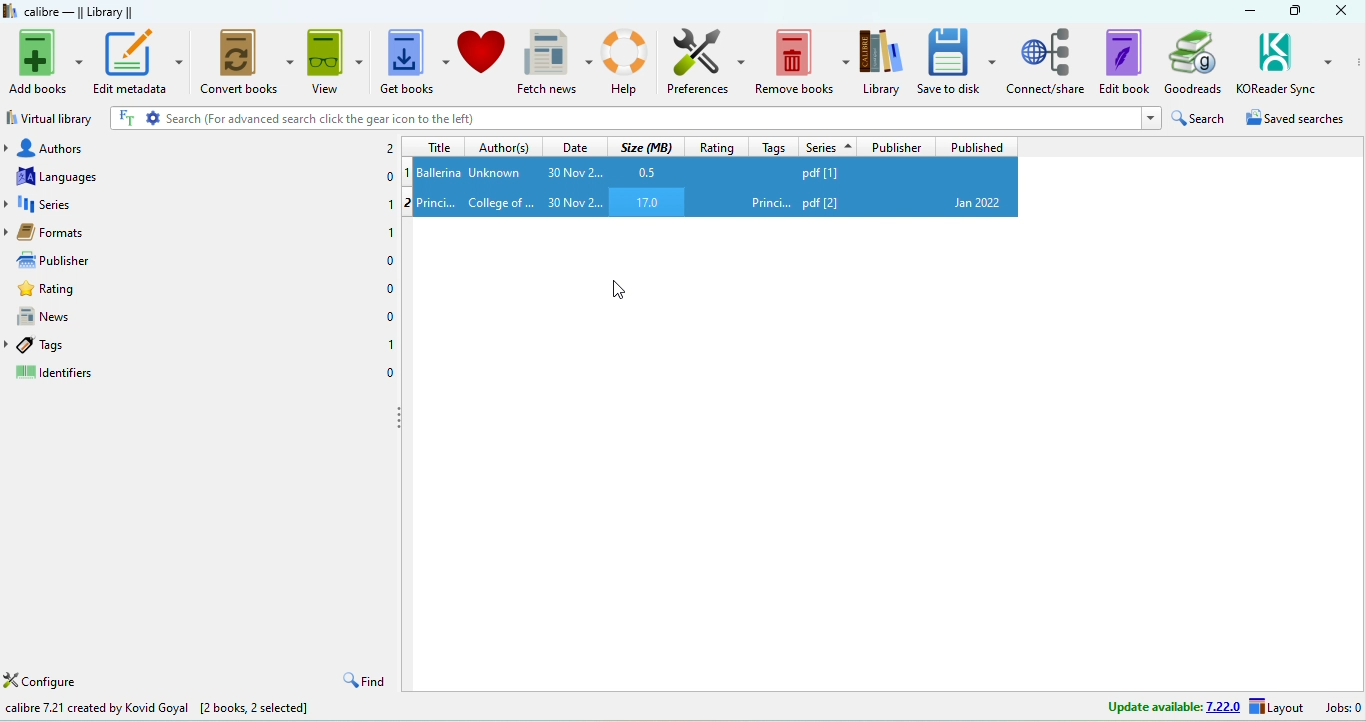 This screenshot has width=1366, height=722. What do you see at coordinates (574, 172) in the screenshot?
I see `30 nov 2...` at bounding box center [574, 172].